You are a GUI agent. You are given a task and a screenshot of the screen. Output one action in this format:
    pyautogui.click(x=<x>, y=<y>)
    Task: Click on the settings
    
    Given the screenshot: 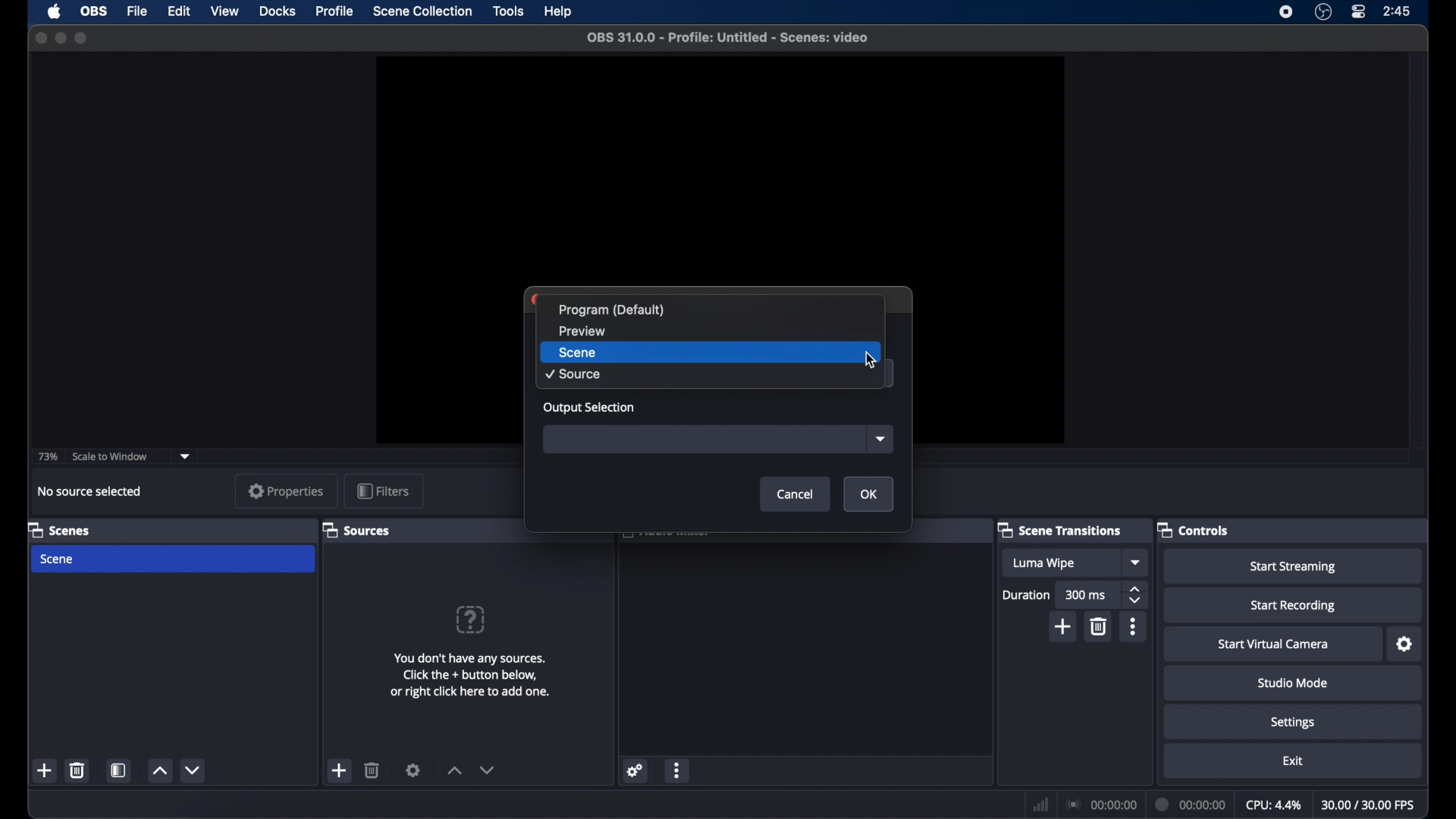 What is the action you would take?
    pyautogui.click(x=635, y=771)
    